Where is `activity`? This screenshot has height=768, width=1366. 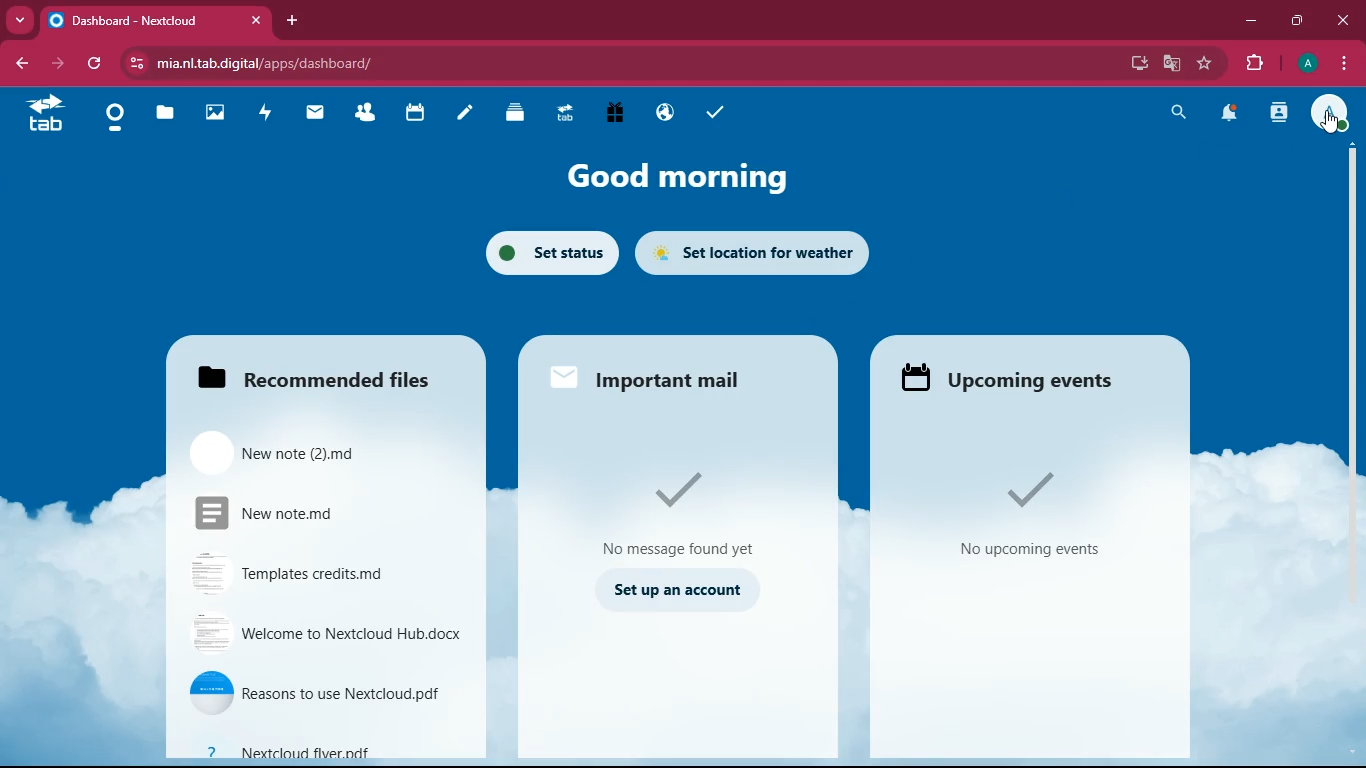 activity is located at coordinates (1277, 115).